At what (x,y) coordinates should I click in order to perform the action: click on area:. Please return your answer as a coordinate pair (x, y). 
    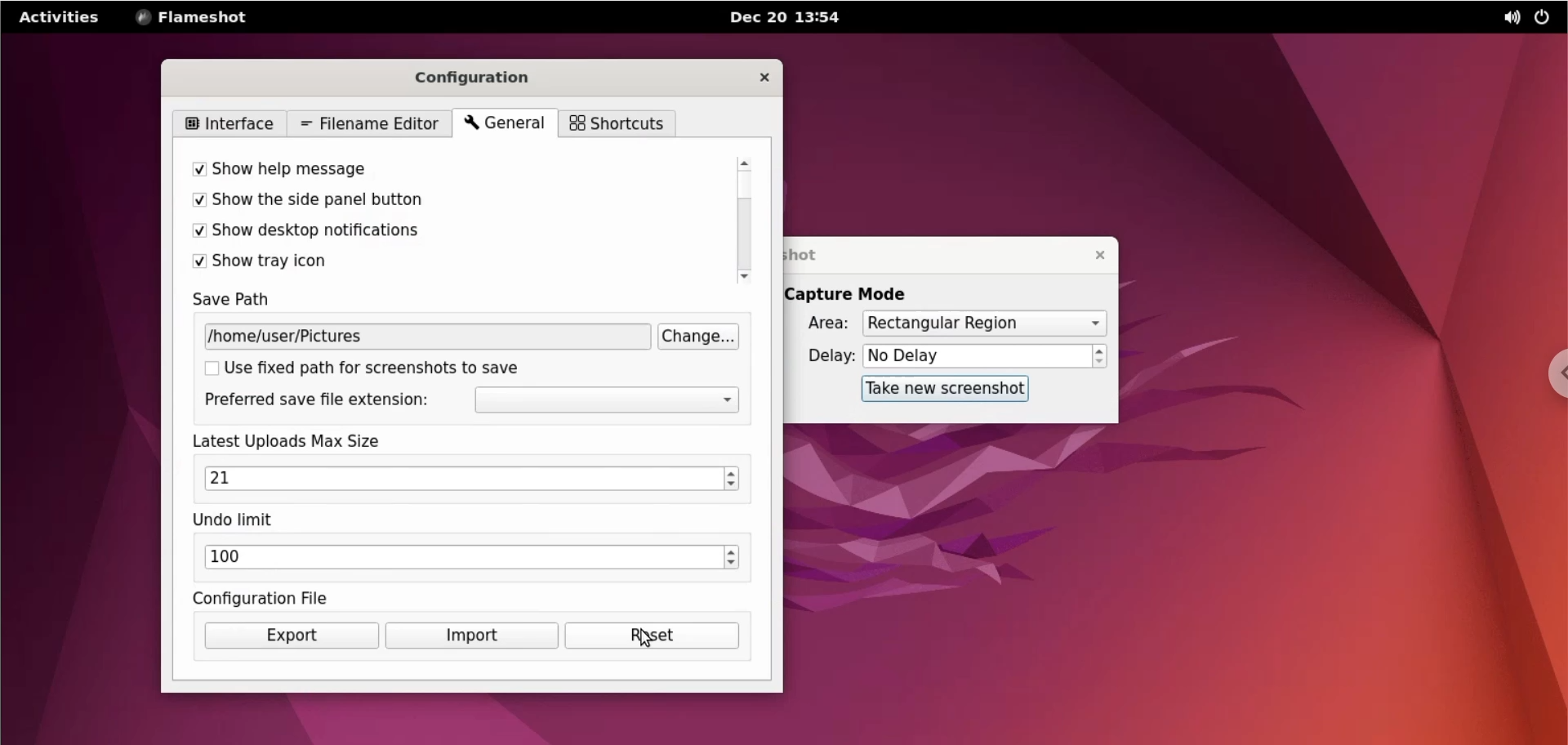
    Looking at the image, I should click on (822, 322).